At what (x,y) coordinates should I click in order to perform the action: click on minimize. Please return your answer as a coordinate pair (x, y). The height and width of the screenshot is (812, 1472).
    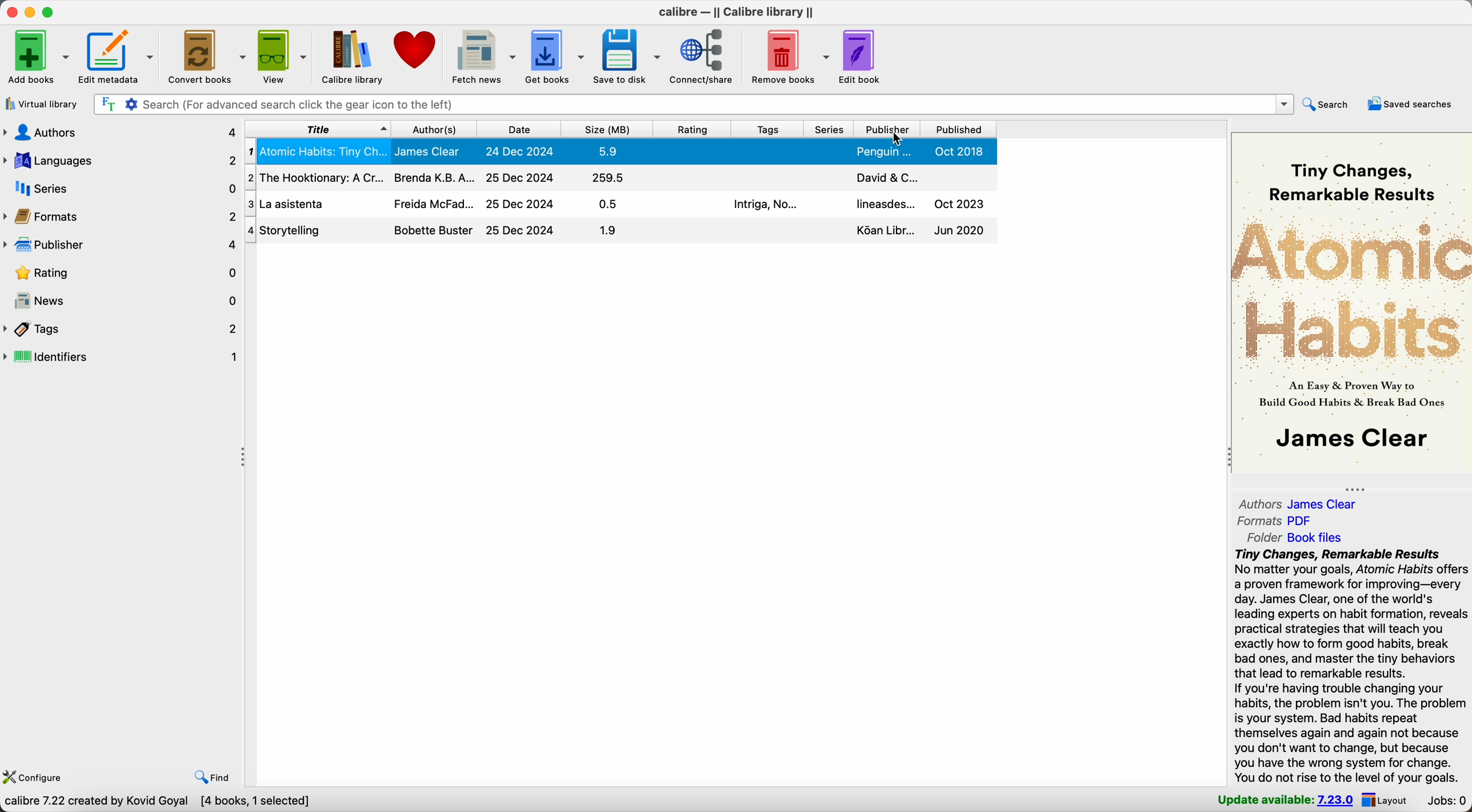
    Looking at the image, I should click on (30, 12).